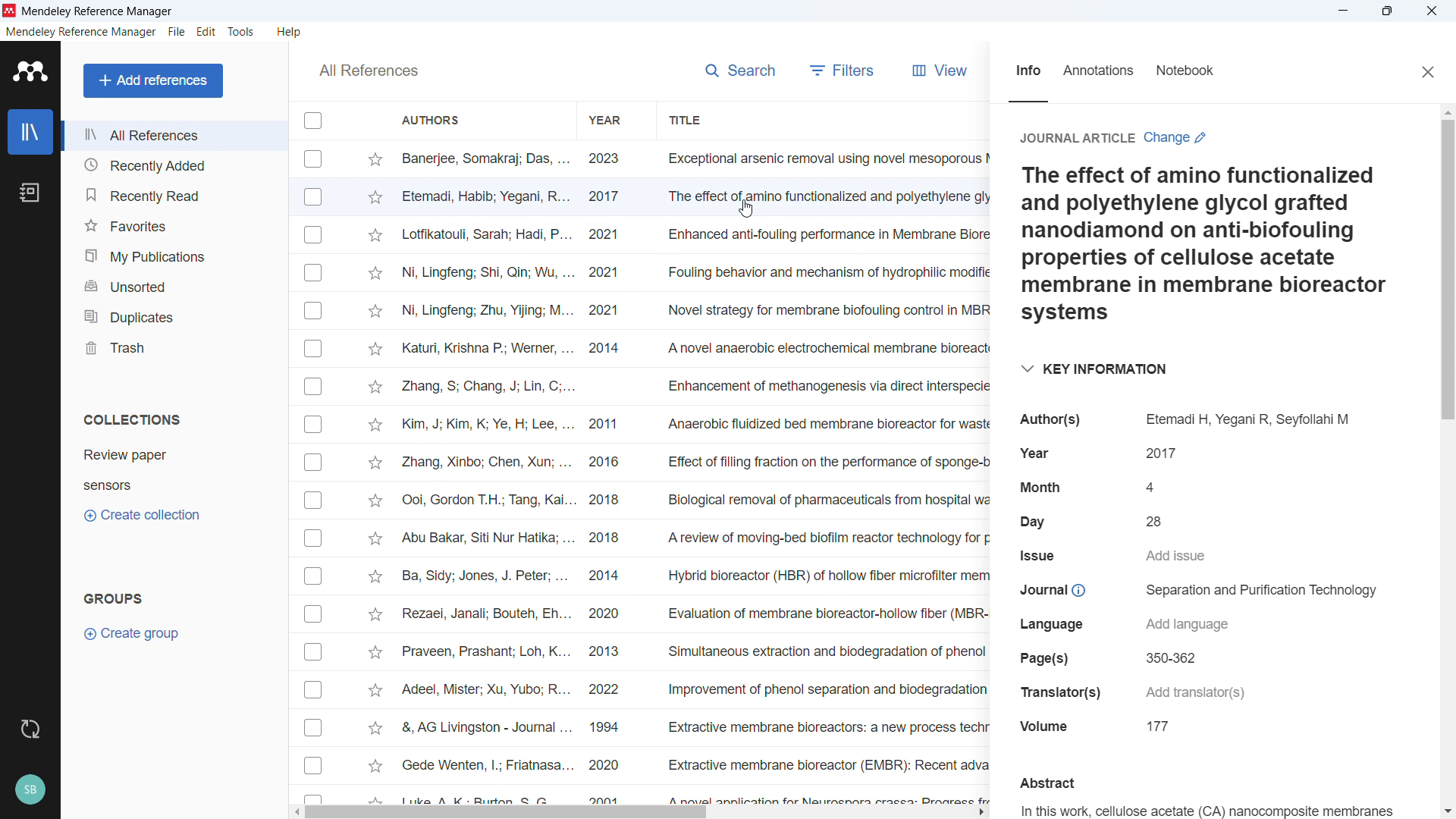 This screenshot has width=1456, height=819. Describe the element at coordinates (1430, 72) in the screenshot. I see `Close ` at that location.